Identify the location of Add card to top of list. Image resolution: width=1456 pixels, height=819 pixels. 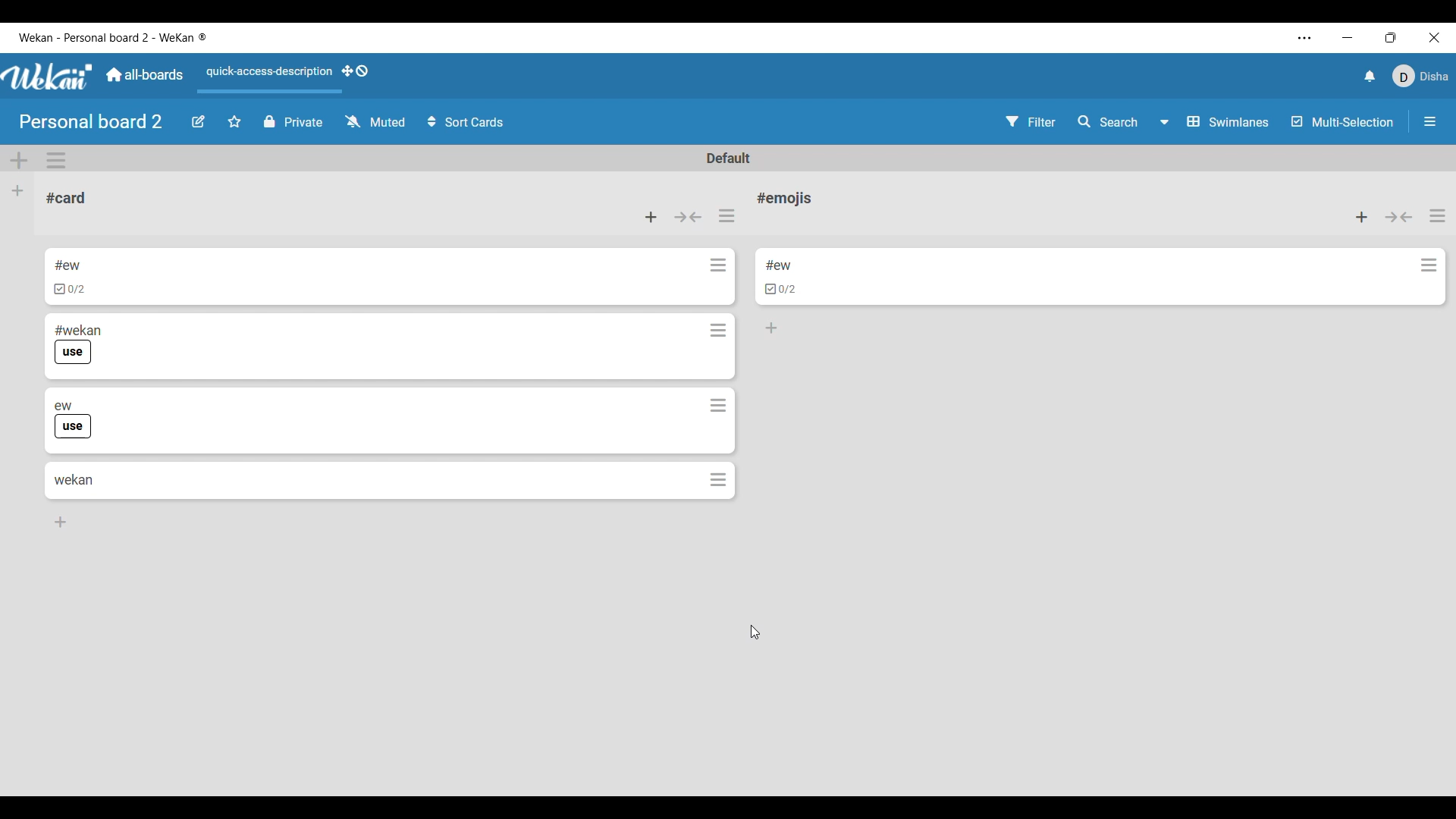
(651, 218).